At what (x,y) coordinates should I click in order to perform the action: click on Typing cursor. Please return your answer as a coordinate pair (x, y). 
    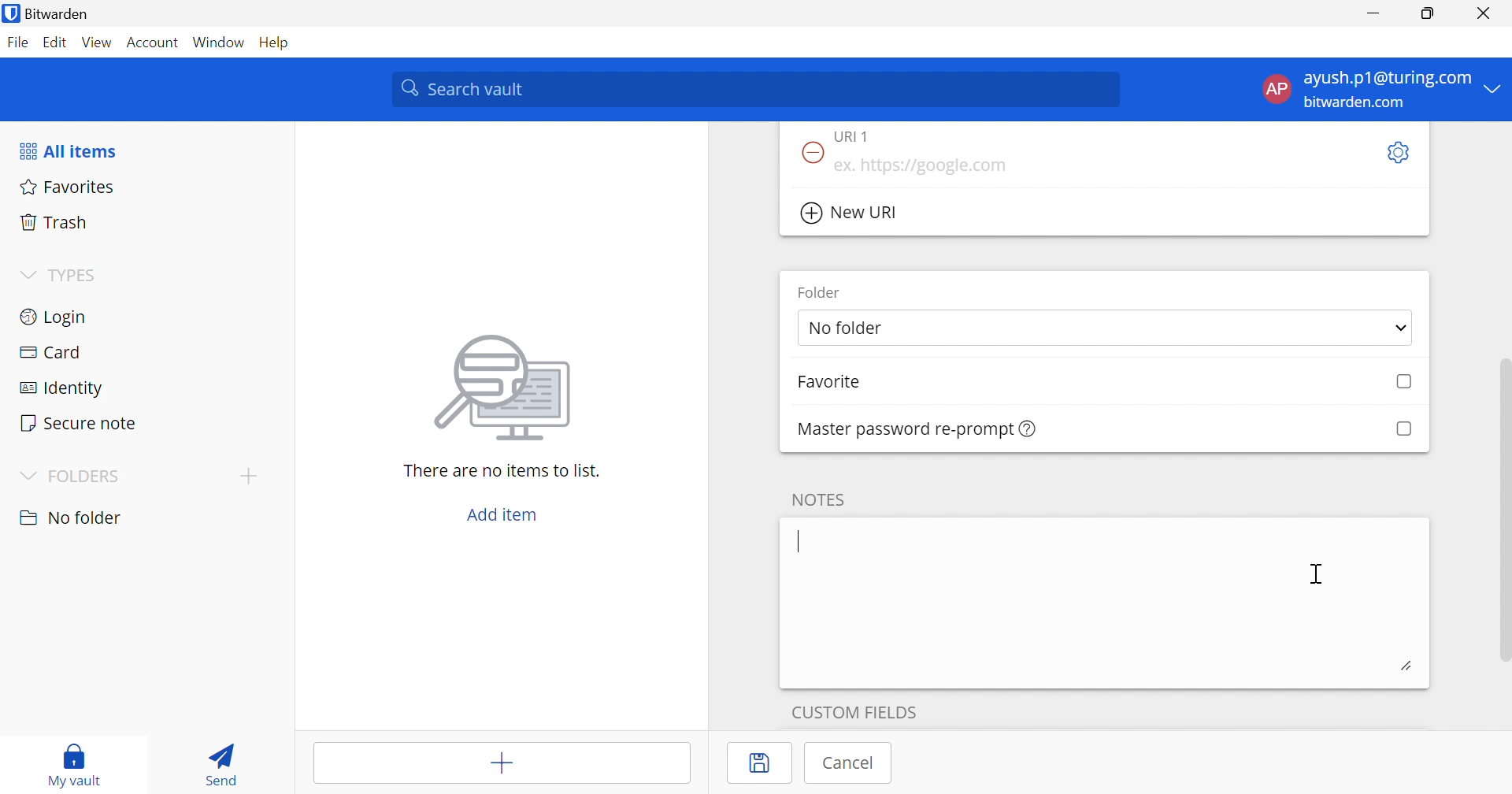
    Looking at the image, I should click on (800, 541).